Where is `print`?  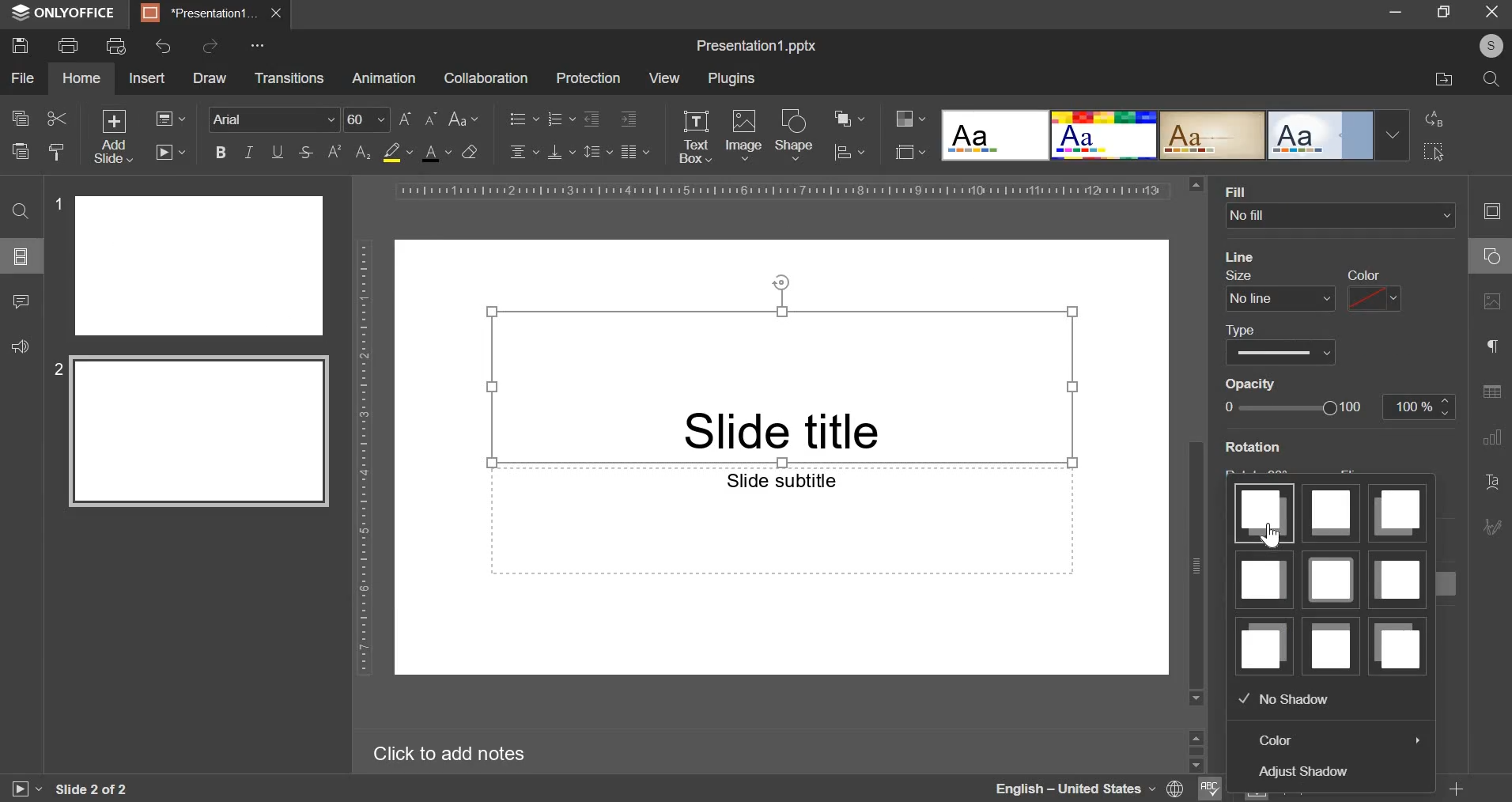 print is located at coordinates (67, 44).